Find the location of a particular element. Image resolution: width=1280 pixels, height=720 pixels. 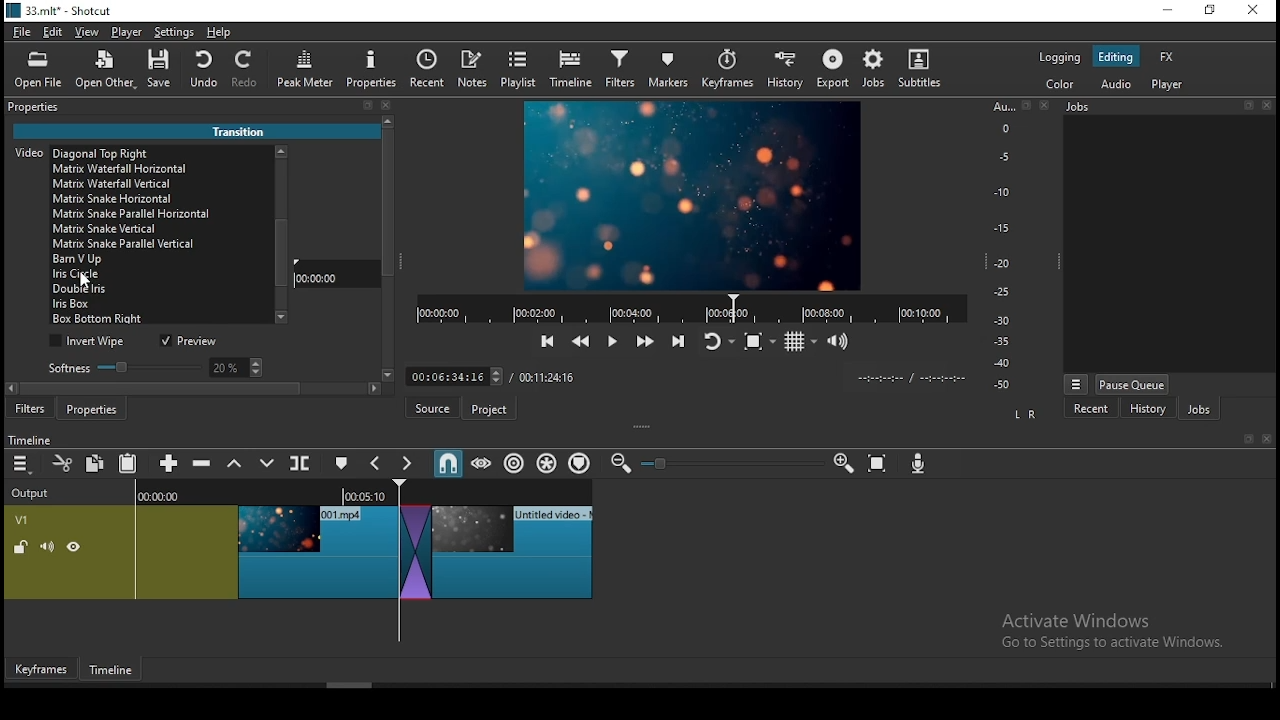

lift is located at coordinates (235, 464).